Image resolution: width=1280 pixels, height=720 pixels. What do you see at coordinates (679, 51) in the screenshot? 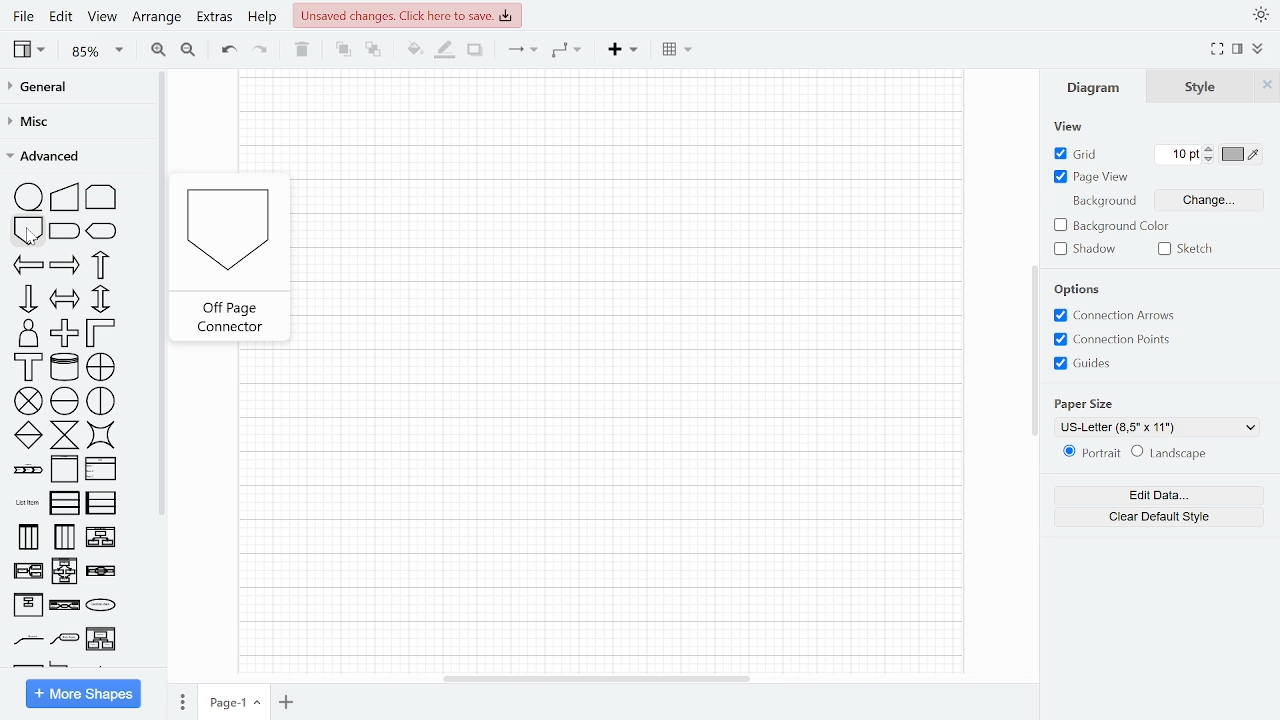
I see `Table` at bounding box center [679, 51].